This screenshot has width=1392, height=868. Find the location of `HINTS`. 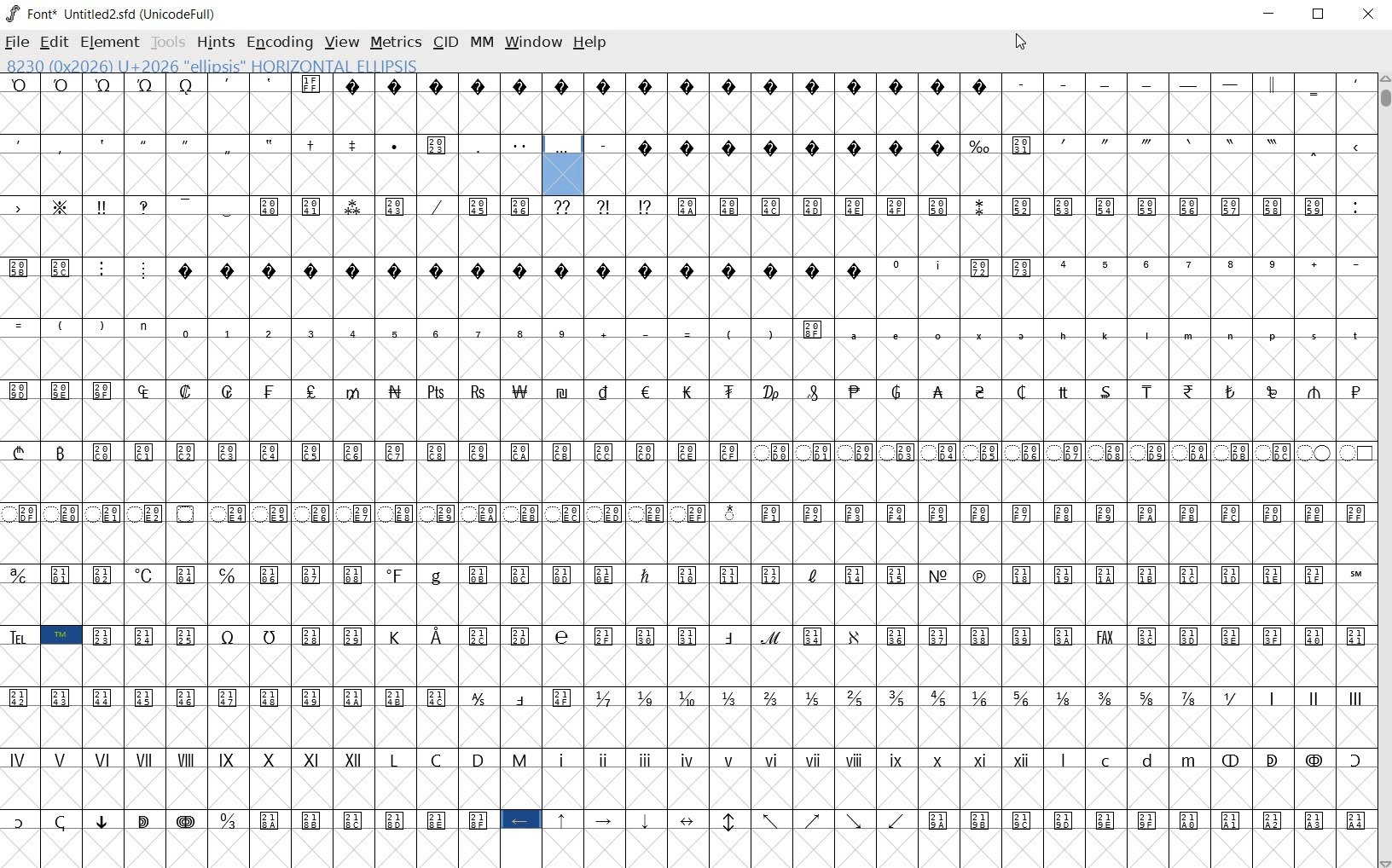

HINTS is located at coordinates (214, 44).